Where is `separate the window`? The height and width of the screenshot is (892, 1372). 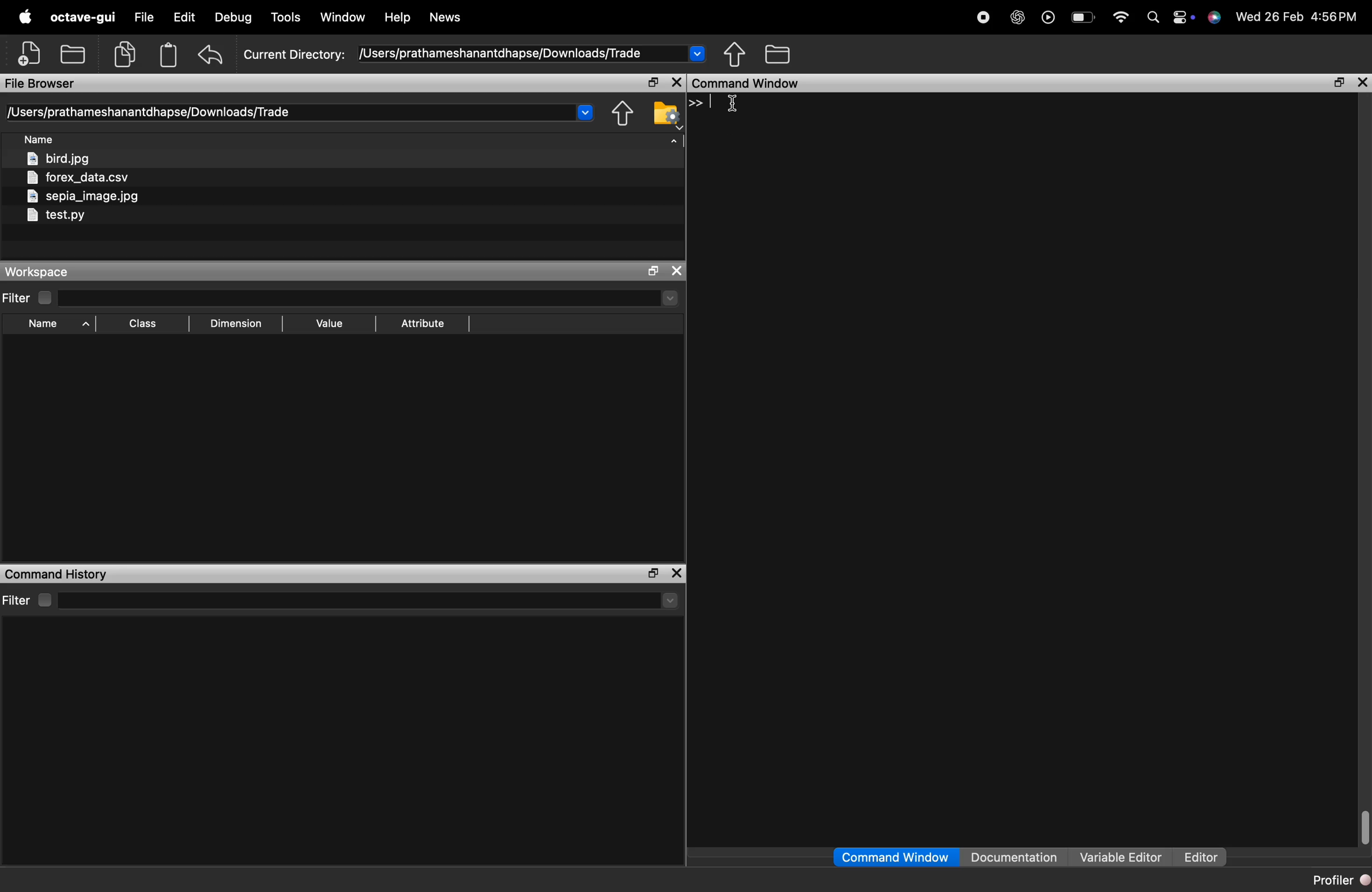
separate the window is located at coordinates (652, 271).